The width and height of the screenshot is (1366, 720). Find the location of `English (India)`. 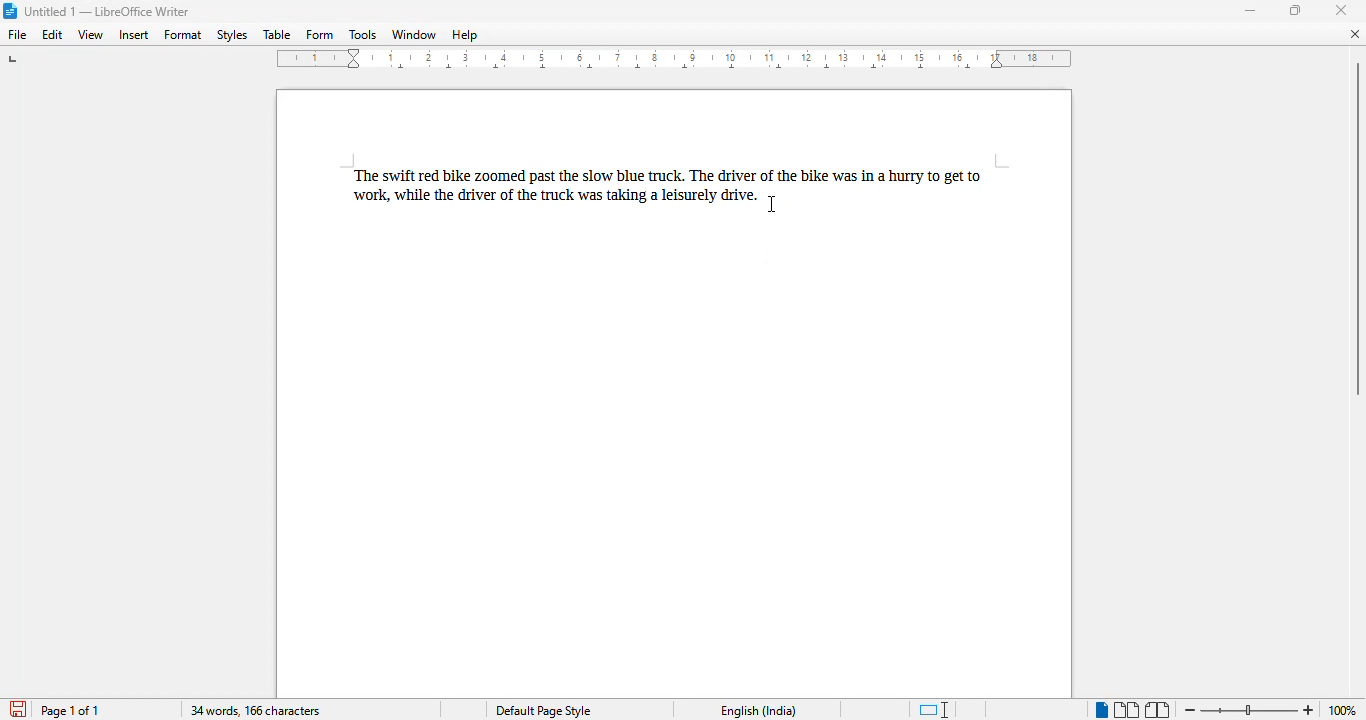

English (India) is located at coordinates (757, 711).